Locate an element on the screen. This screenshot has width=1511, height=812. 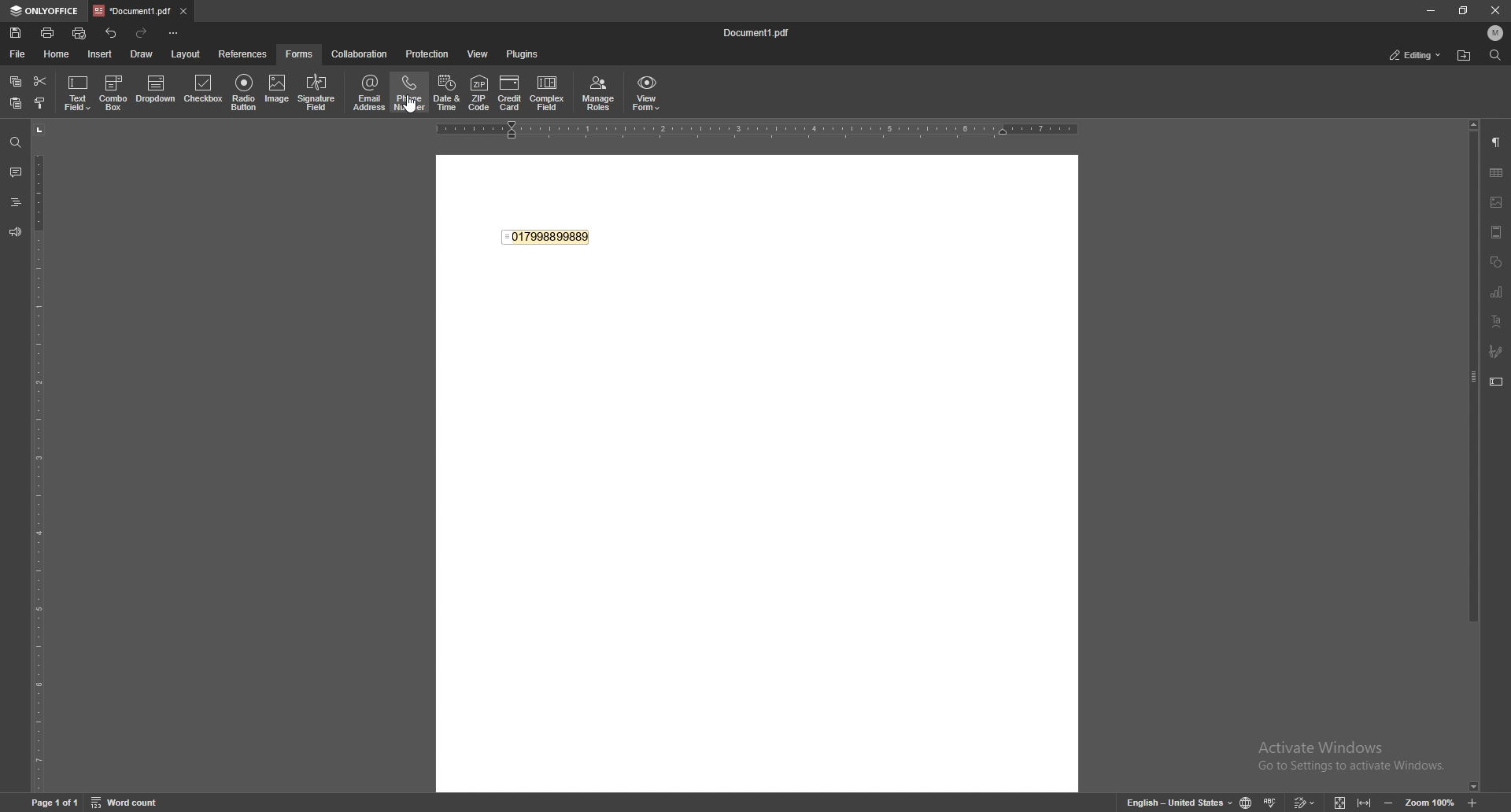
Page 1 of 1 is located at coordinates (56, 803).